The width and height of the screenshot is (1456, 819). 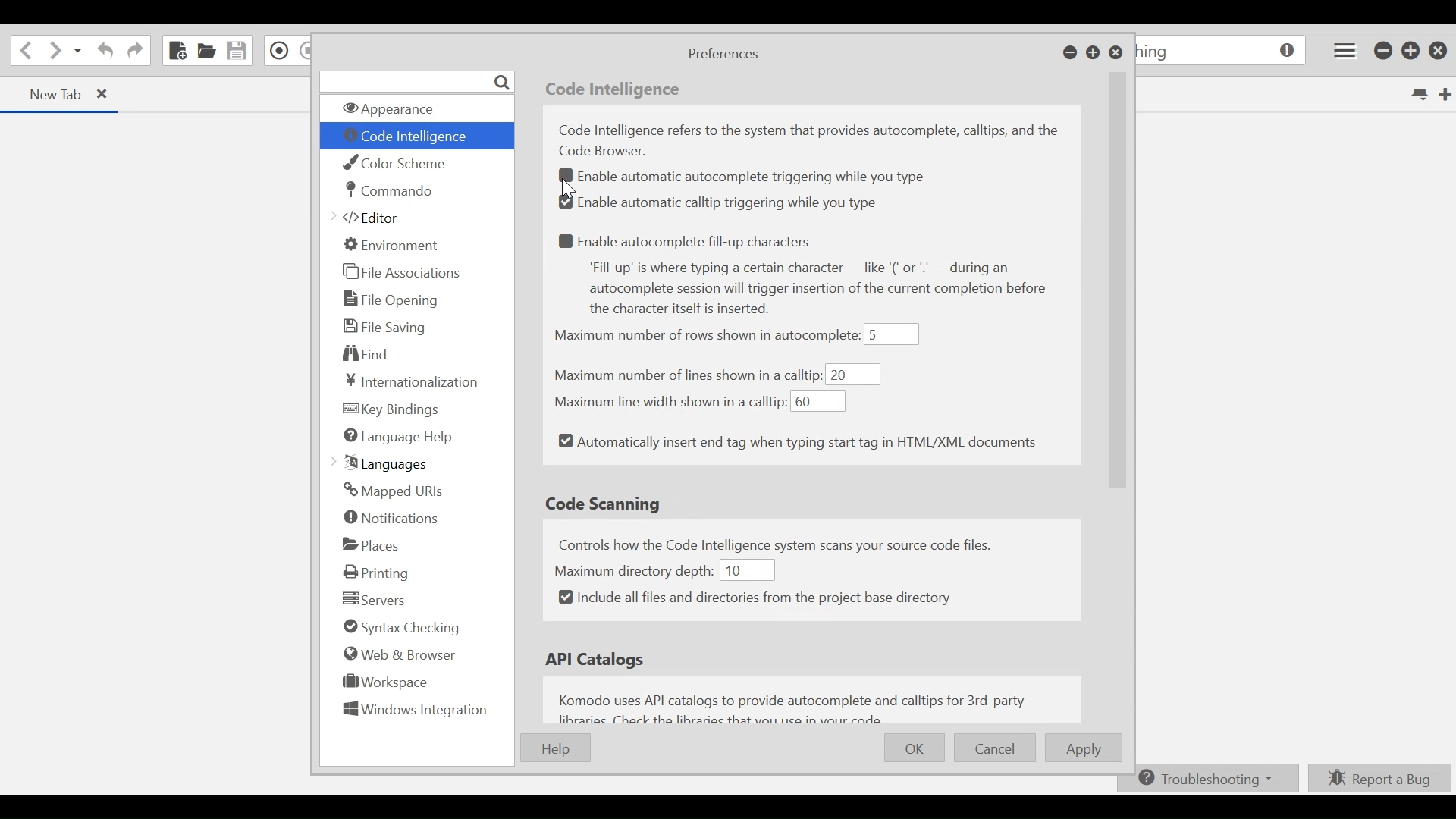 What do you see at coordinates (381, 685) in the screenshot?
I see `Workspace` at bounding box center [381, 685].